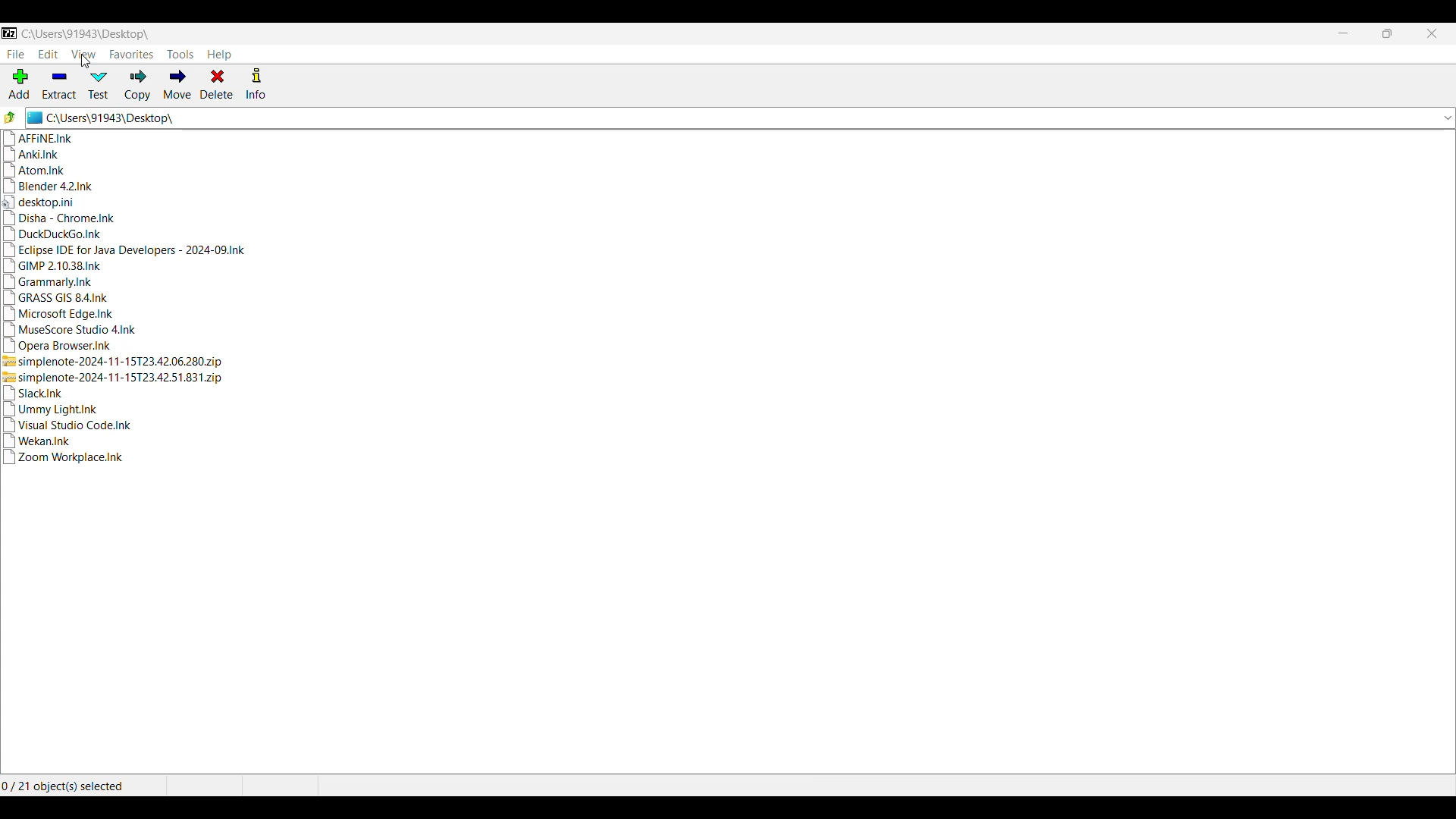  I want to click on Edit, so click(49, 54).